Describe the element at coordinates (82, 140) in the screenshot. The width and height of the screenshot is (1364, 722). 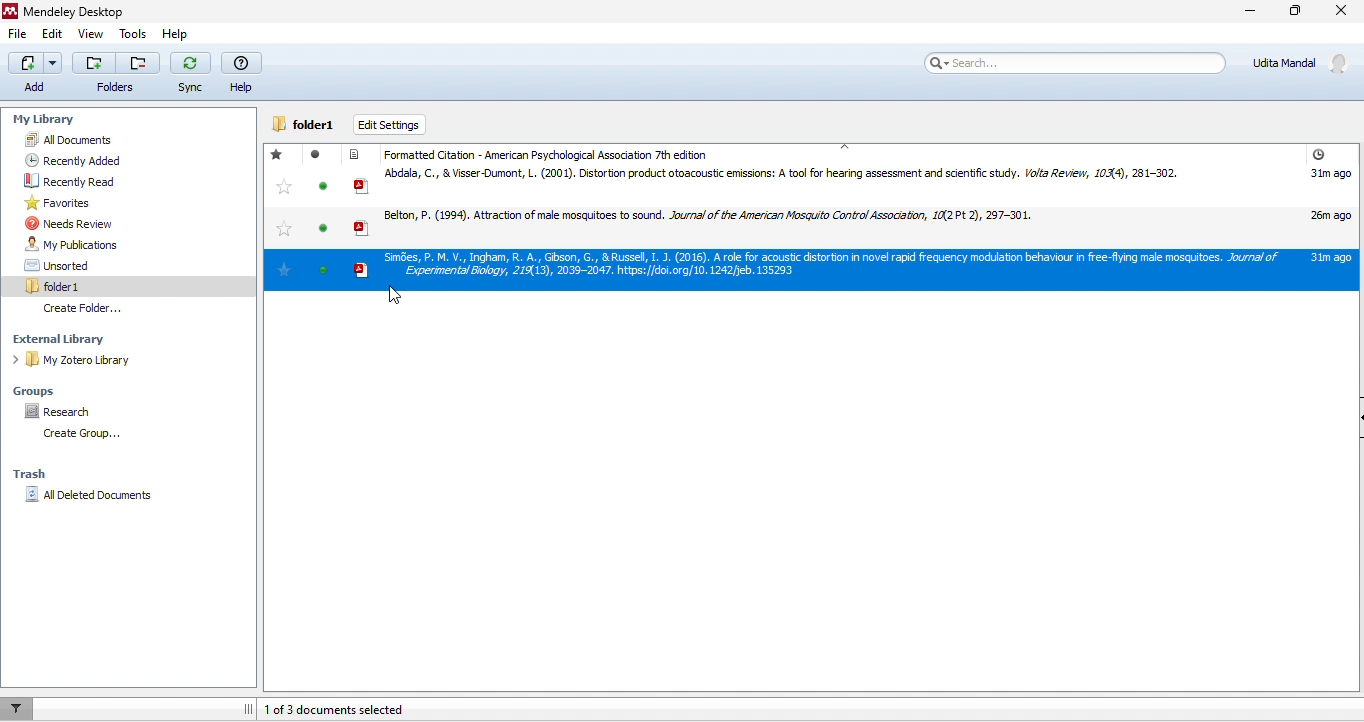
I see `all documents` at that location.